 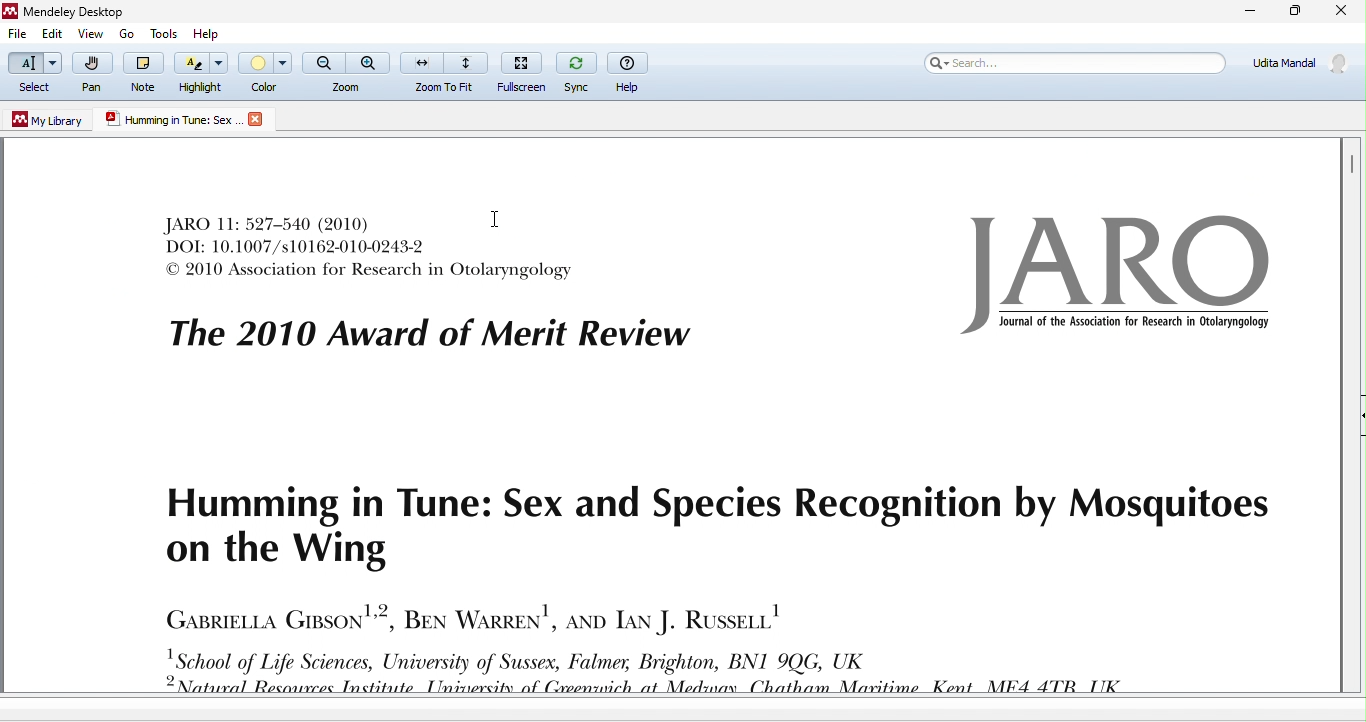 I want to click on full screen, so click(x=526, y=71).